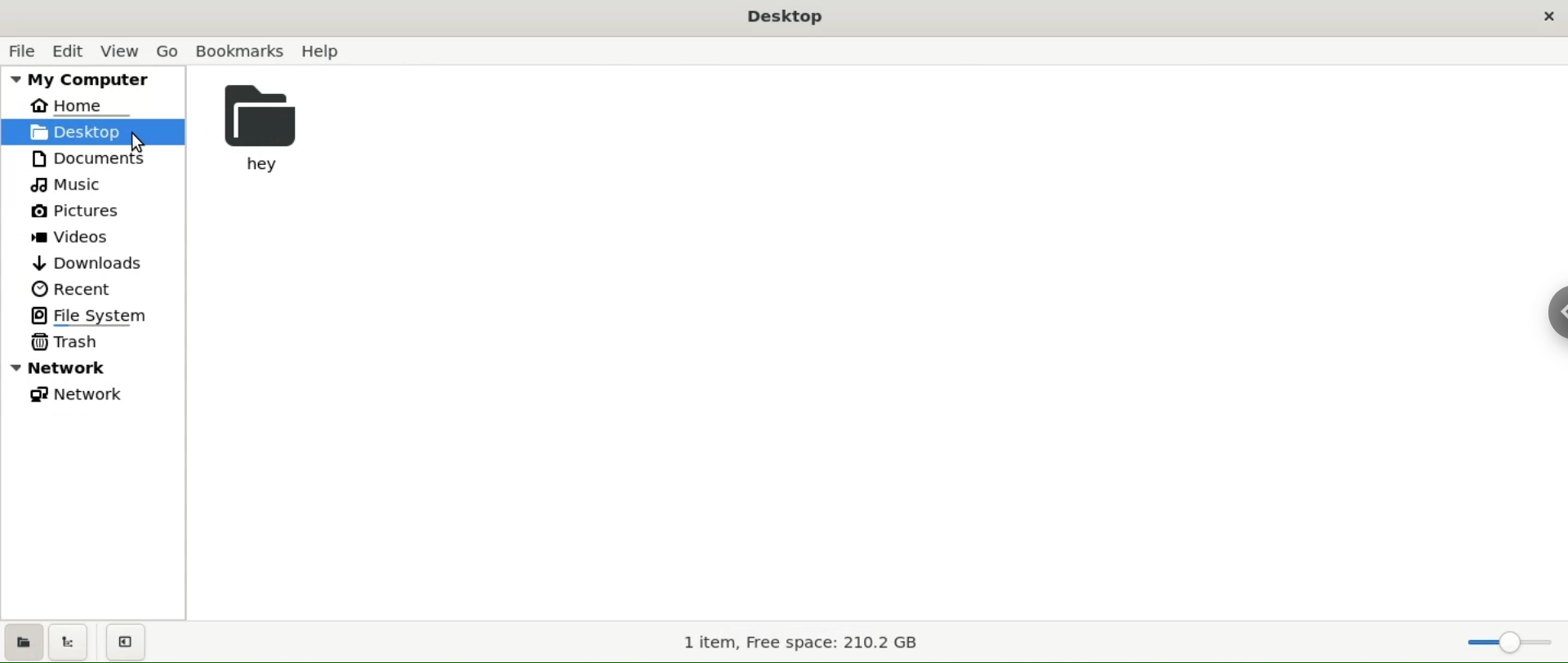 This screenshot has height=663, width=1568. What do you see at coordinates (121, 51) in the screenshot?
I see `view` at bounding box center [121, 51].